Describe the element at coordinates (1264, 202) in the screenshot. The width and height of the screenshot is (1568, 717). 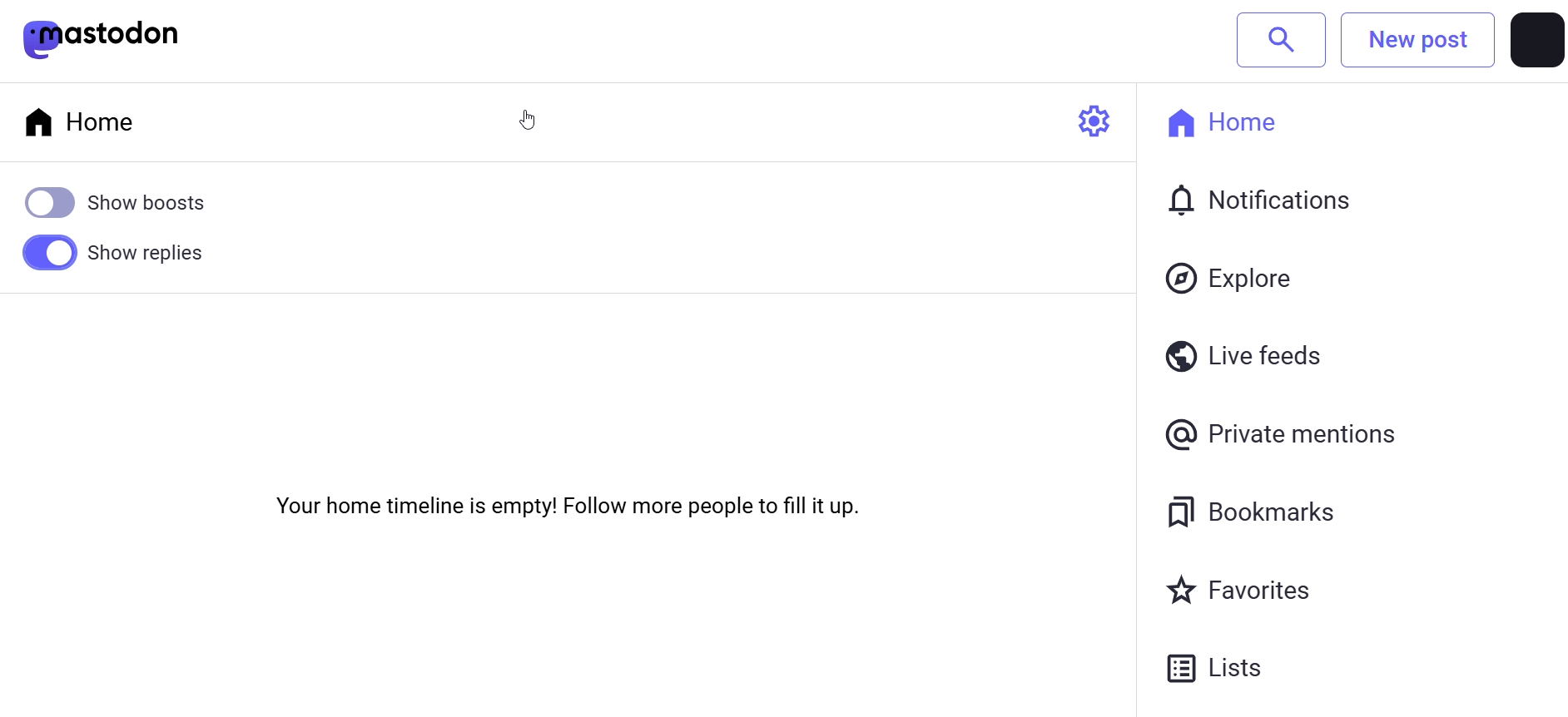
I see `notification` at that location.